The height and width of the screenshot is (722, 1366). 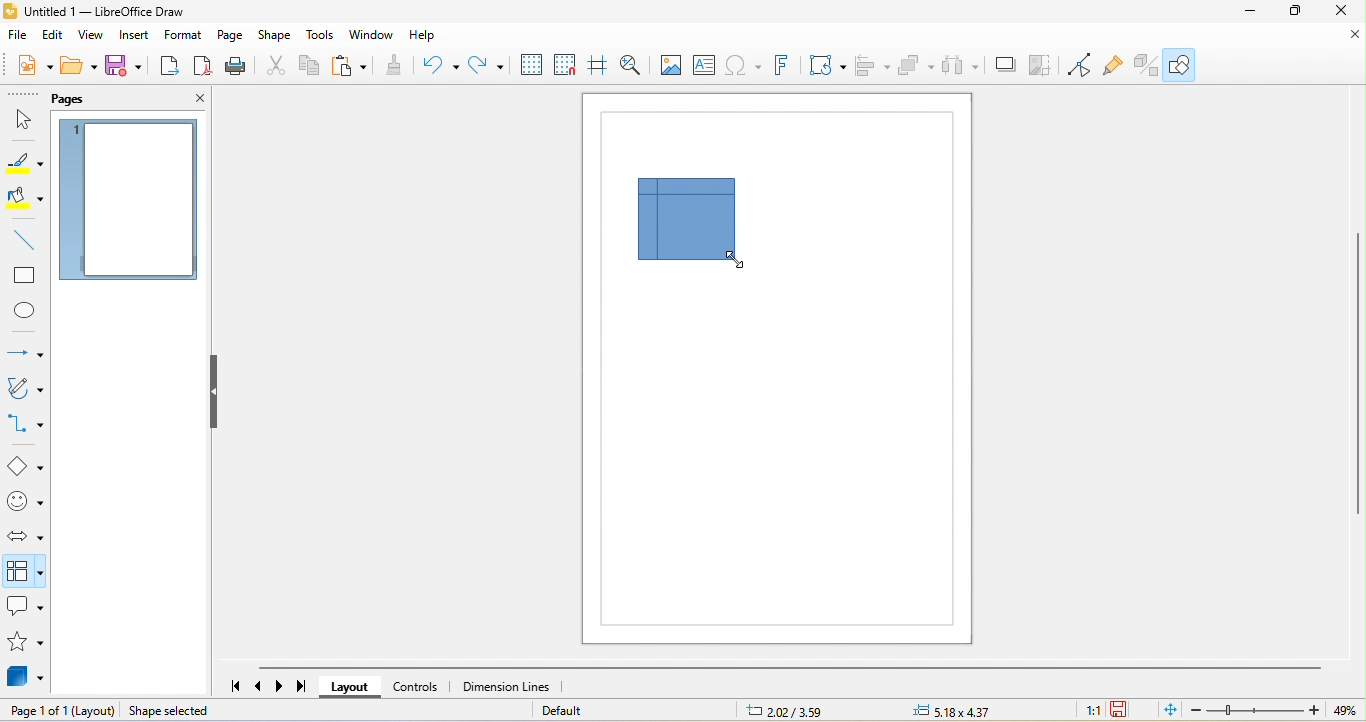 What do you see at coordinates (601, 66) in the screenshot?
I see `helplines while moving` at bounding box center [601, 66].